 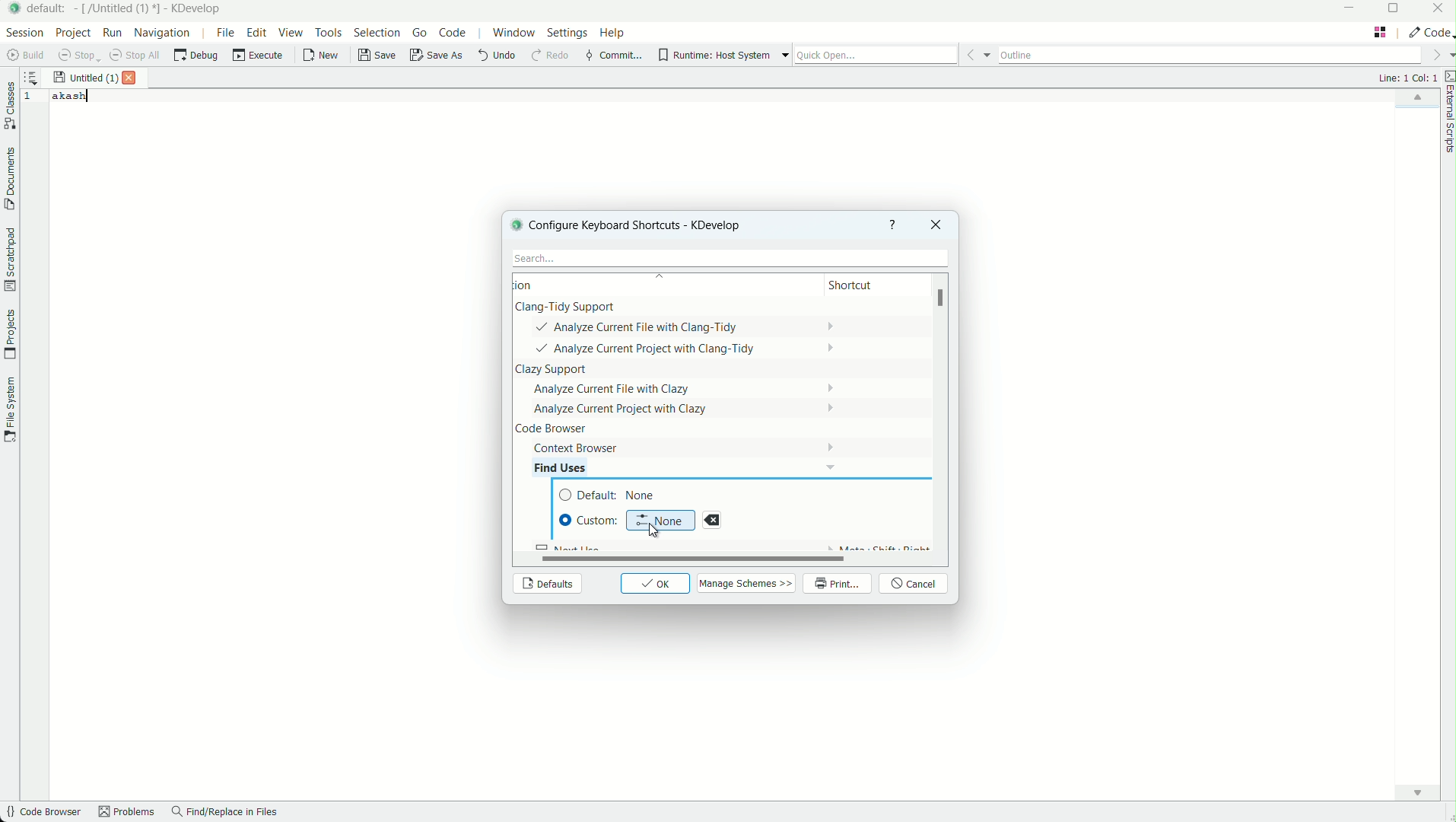 What do you see at coordinates (544, 285) in the screenshot?
I see `action` at bounding box center [544, 285].